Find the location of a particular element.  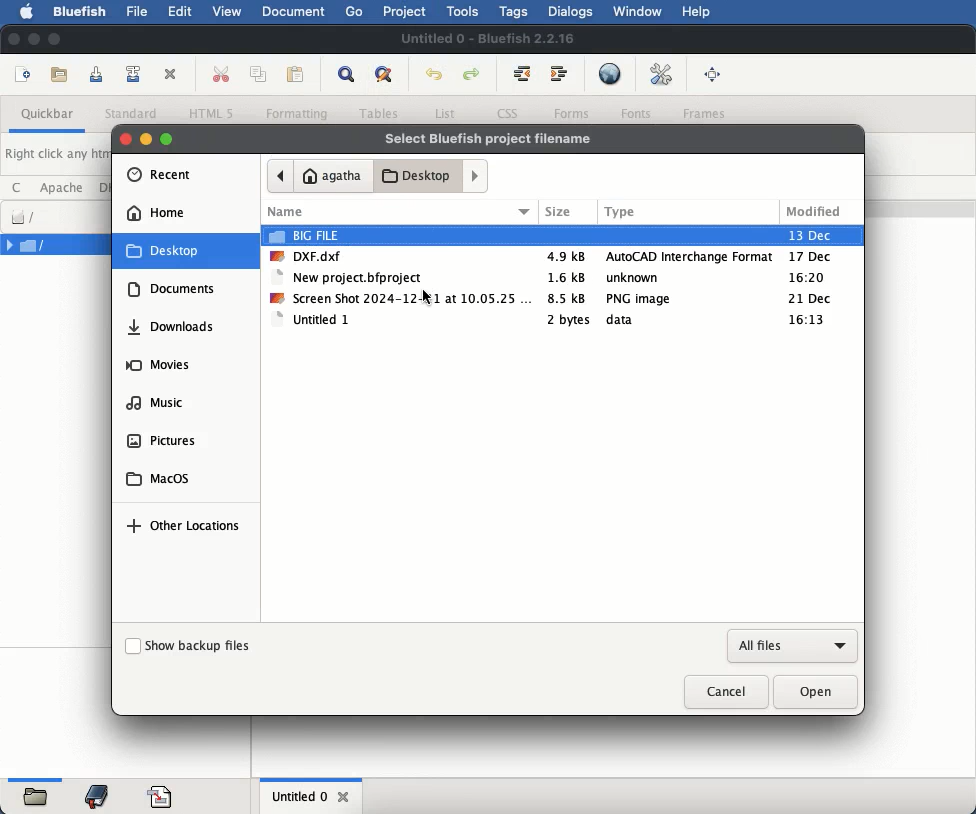

minimise is located at coordinates (147, 137).